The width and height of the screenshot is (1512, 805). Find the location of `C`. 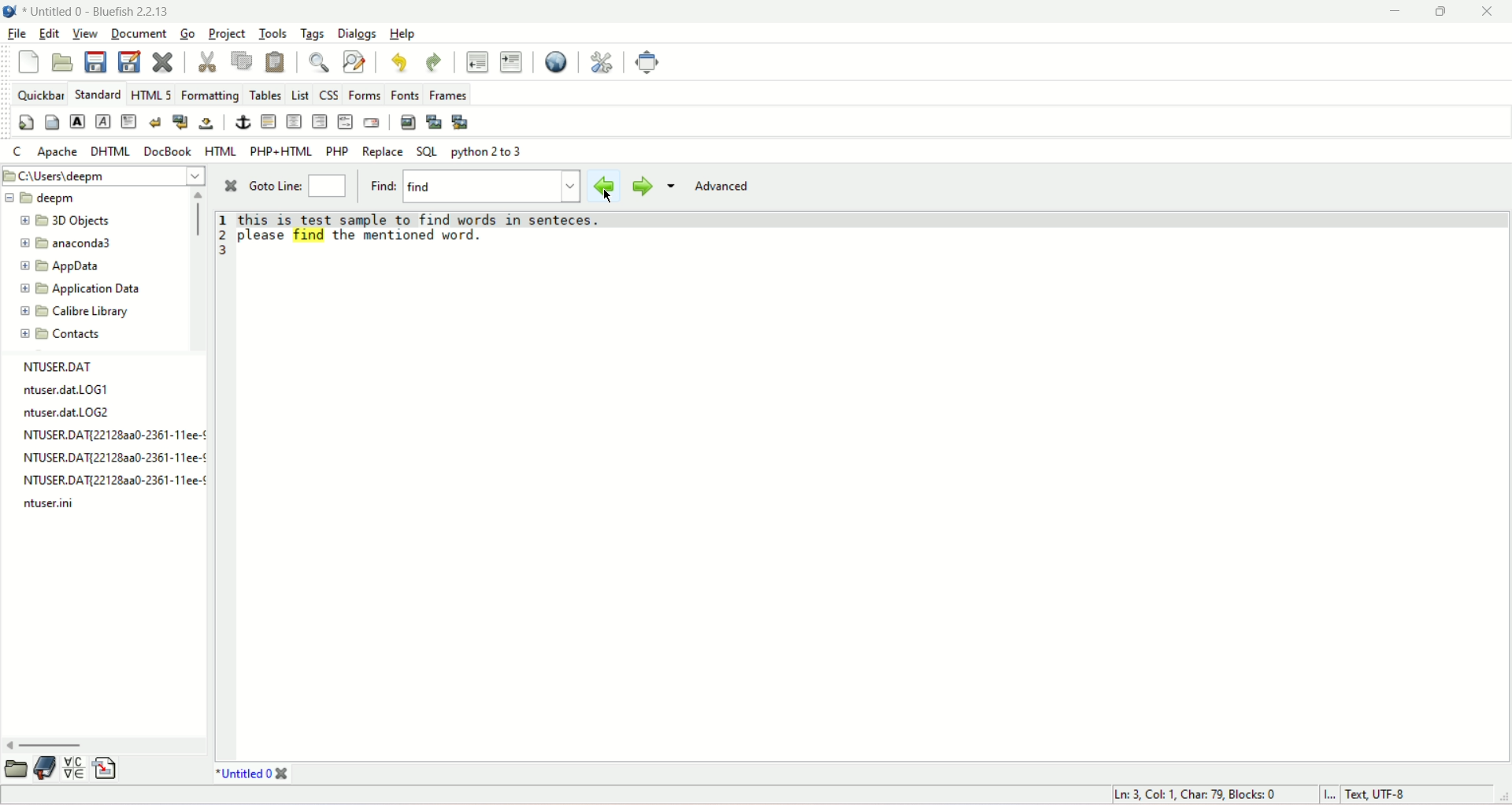

C is located at coordinates (18, 150).